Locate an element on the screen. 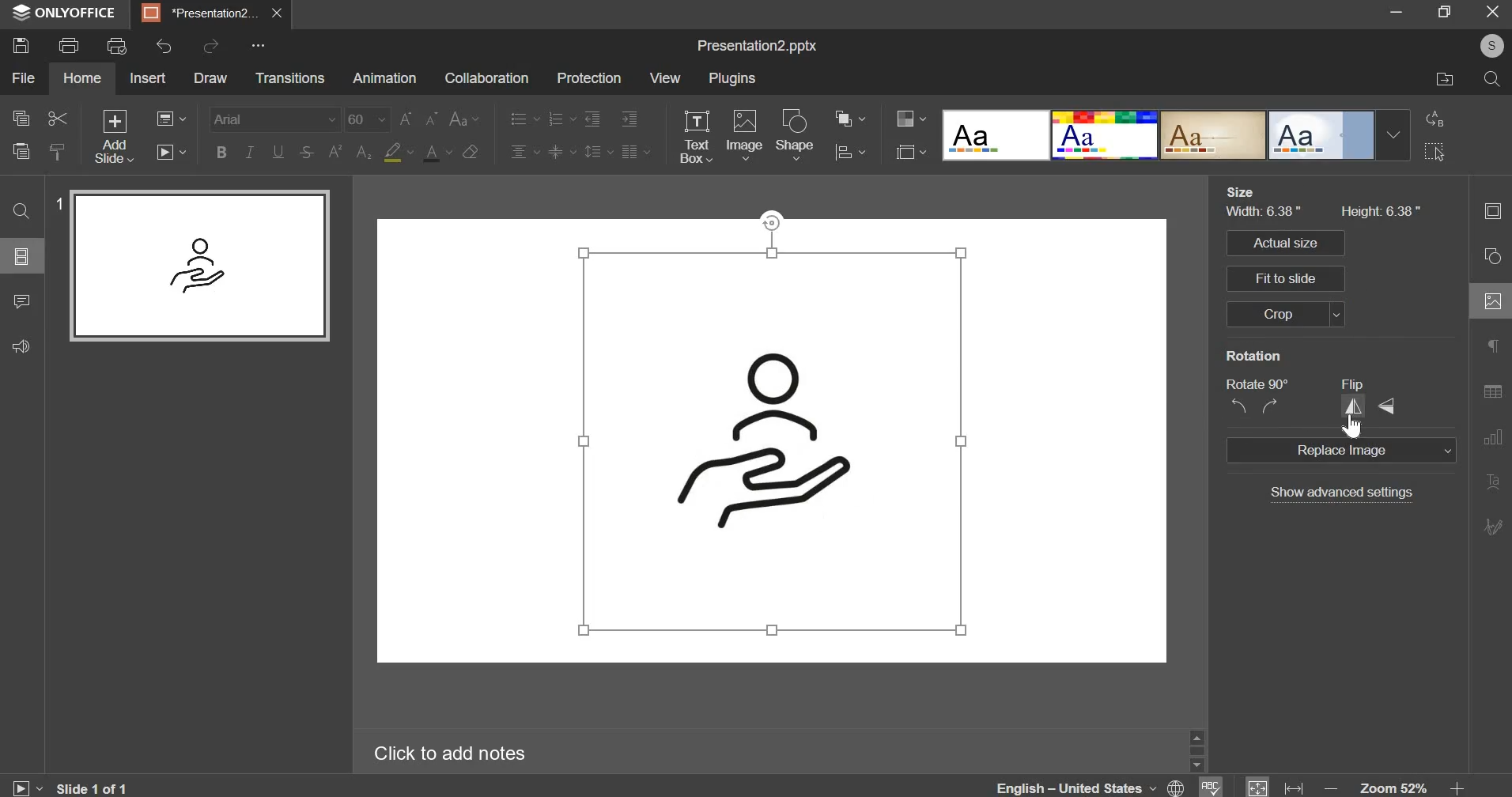 Image resolution: width=1512 pixels, height=797 pixels. align shape is located at coordinates (854, 152).